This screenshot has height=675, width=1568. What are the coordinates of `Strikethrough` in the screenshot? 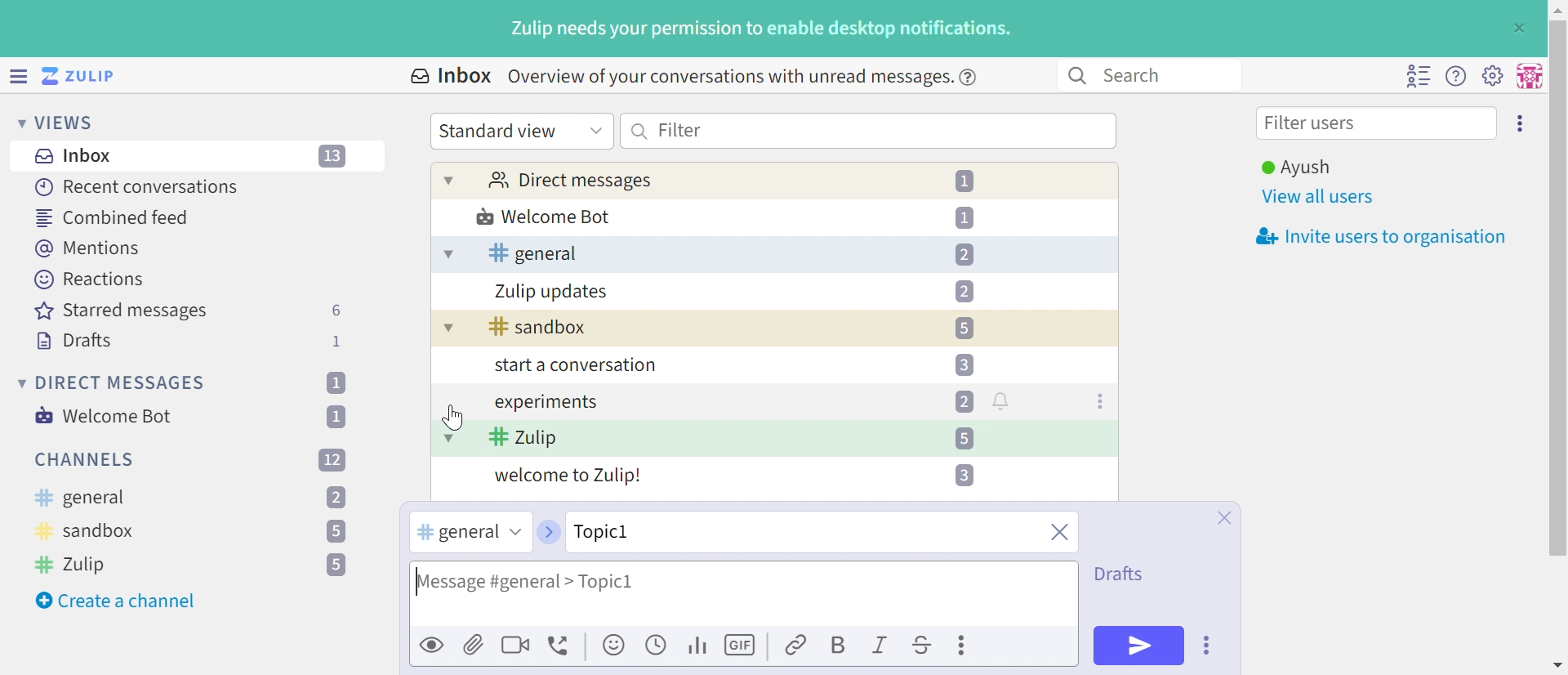 It's located at (923, 647).